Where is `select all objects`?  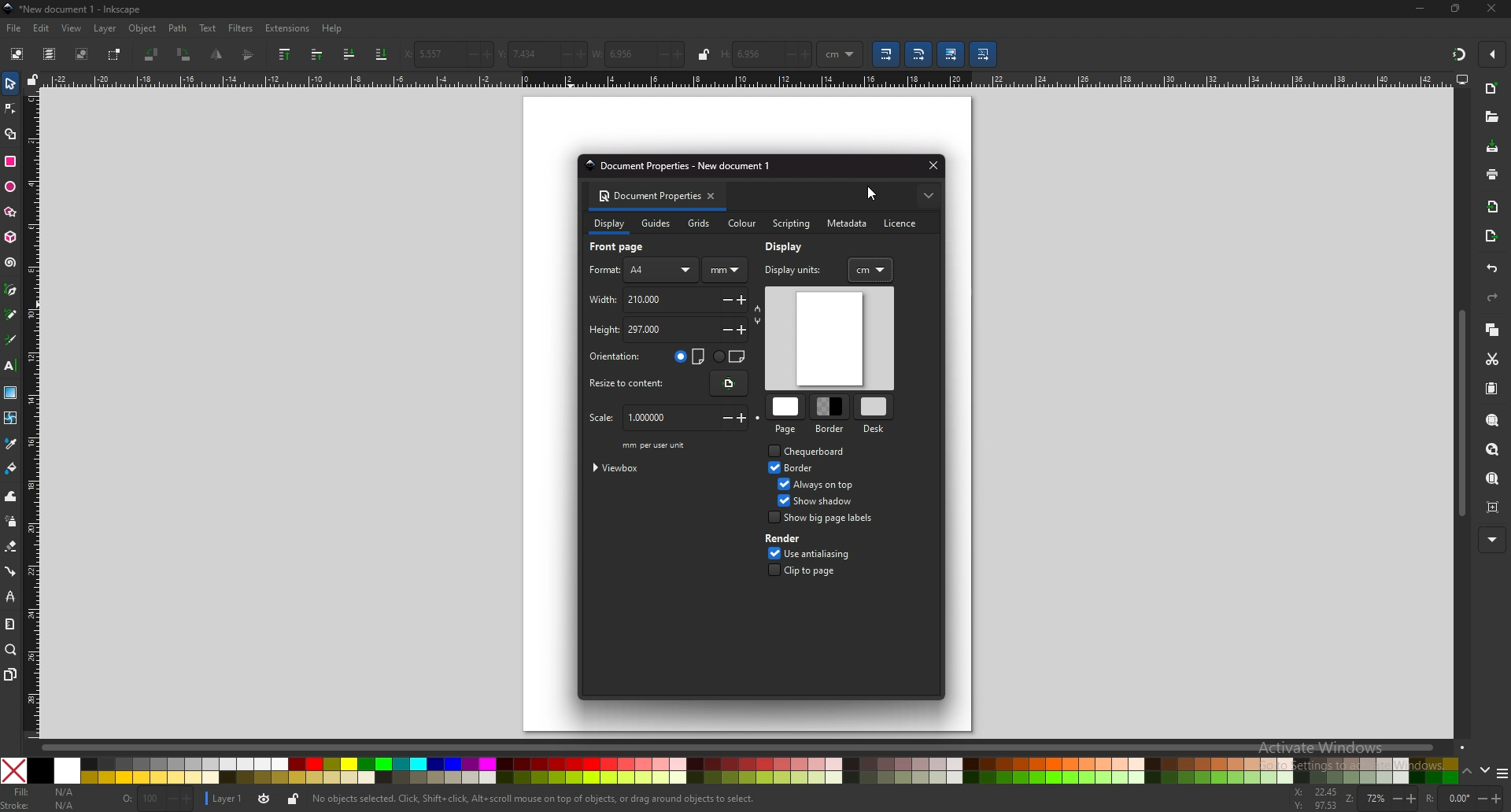
select all objects is located at coordinates (16, 53).